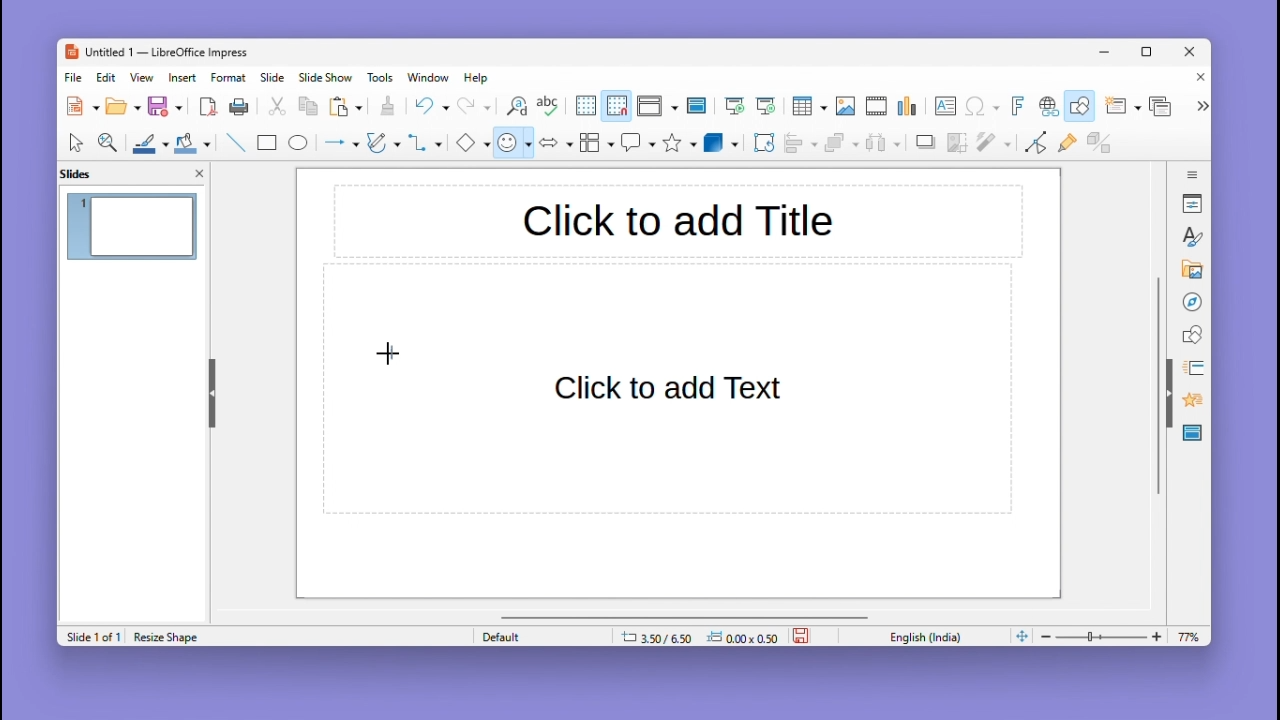 The image size is (1280, 720). What do you see at coordinates (273, 77) in the screenshot?
I see `Slide` at bounding box center [273, 77].